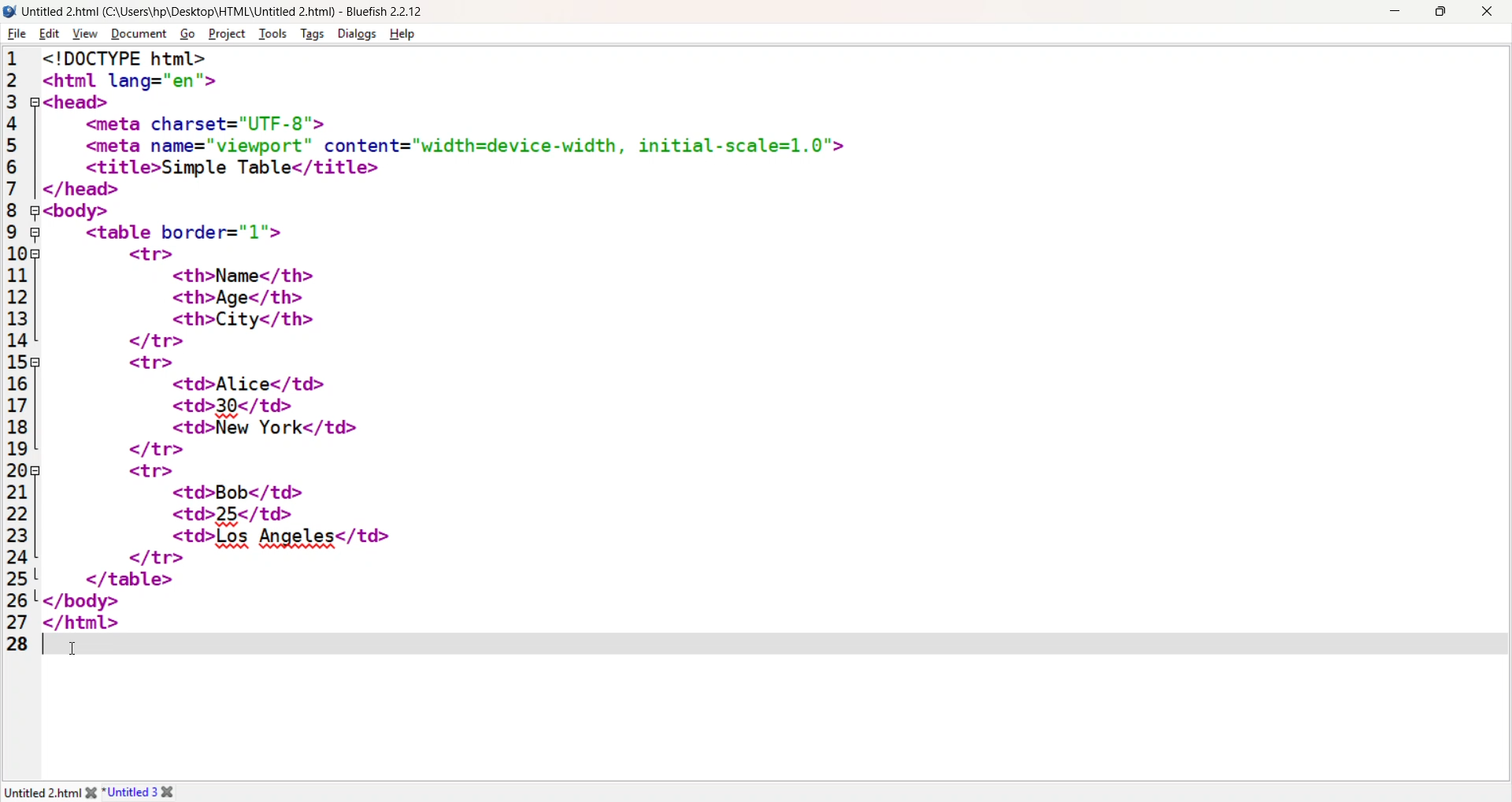 The width and height of the screenshot is (1512, 802). I want to click on Untitled 2.htm, so click(40, 793).